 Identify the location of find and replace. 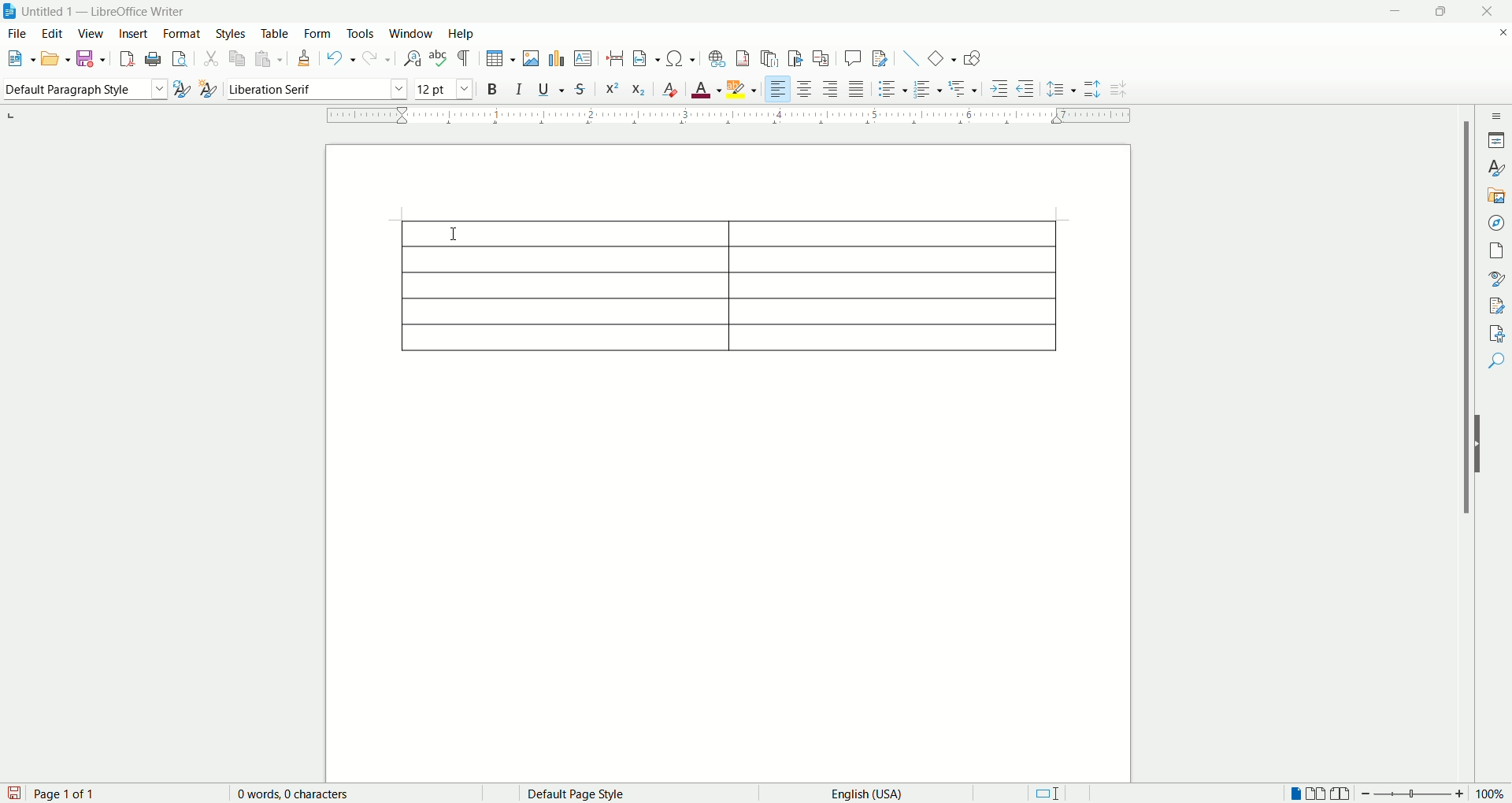
(414, 59).